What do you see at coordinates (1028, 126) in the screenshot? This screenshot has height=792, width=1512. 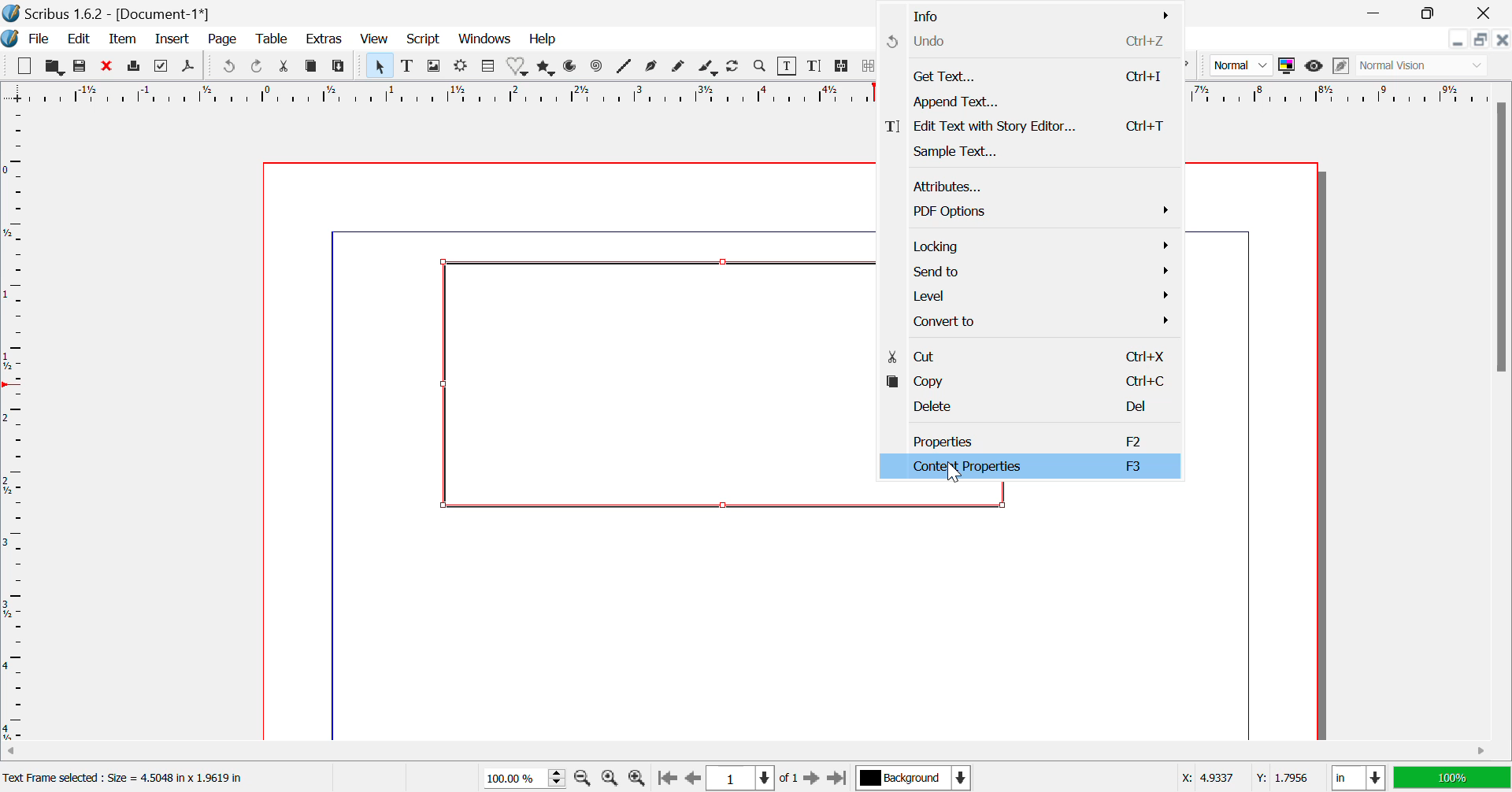 I see `Edit Text with Story Editor` at bounding box center [1028, 126].